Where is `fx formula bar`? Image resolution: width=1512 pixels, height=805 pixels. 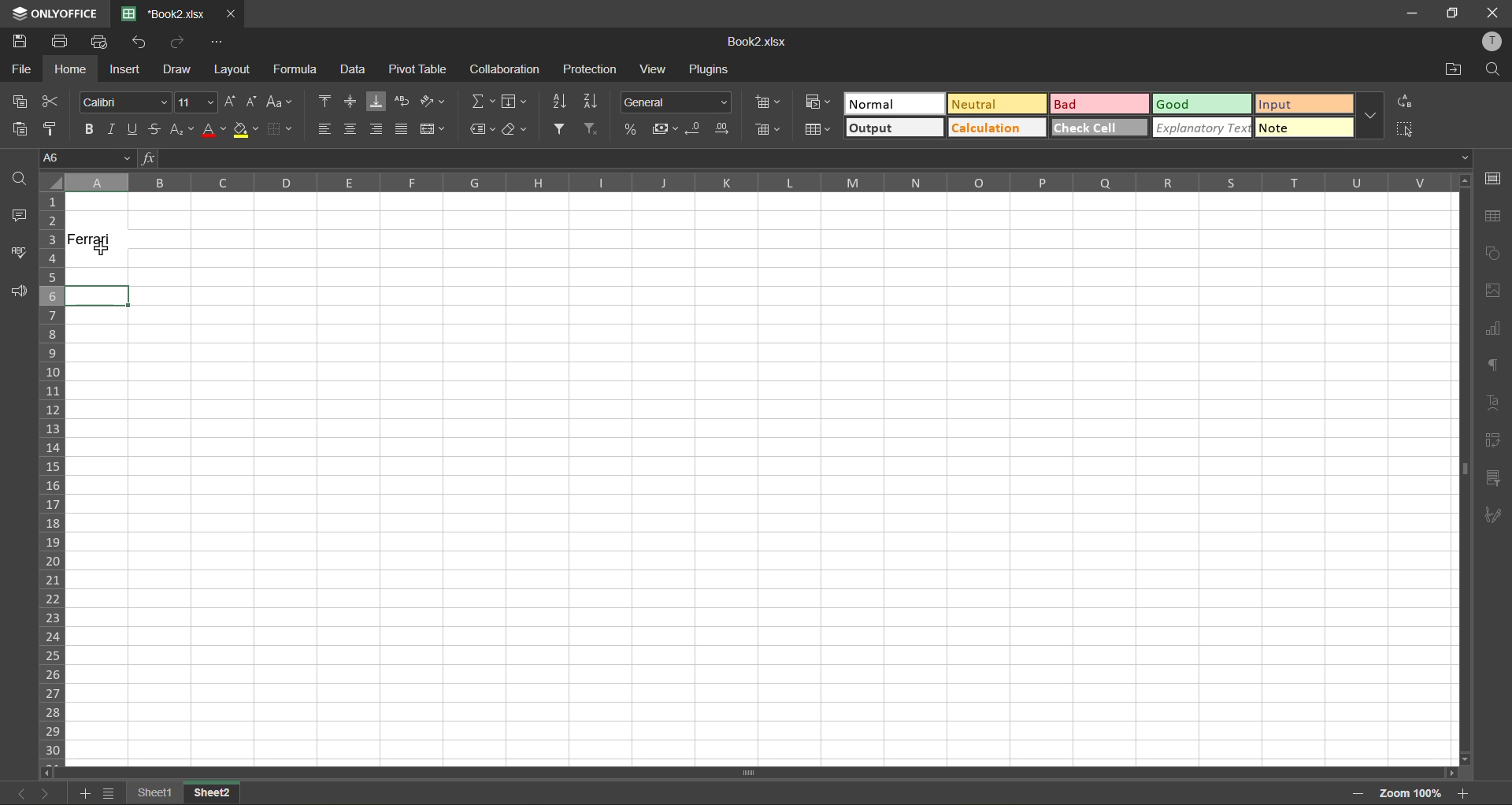
fx formula bar is located at coordinates (801, 158).